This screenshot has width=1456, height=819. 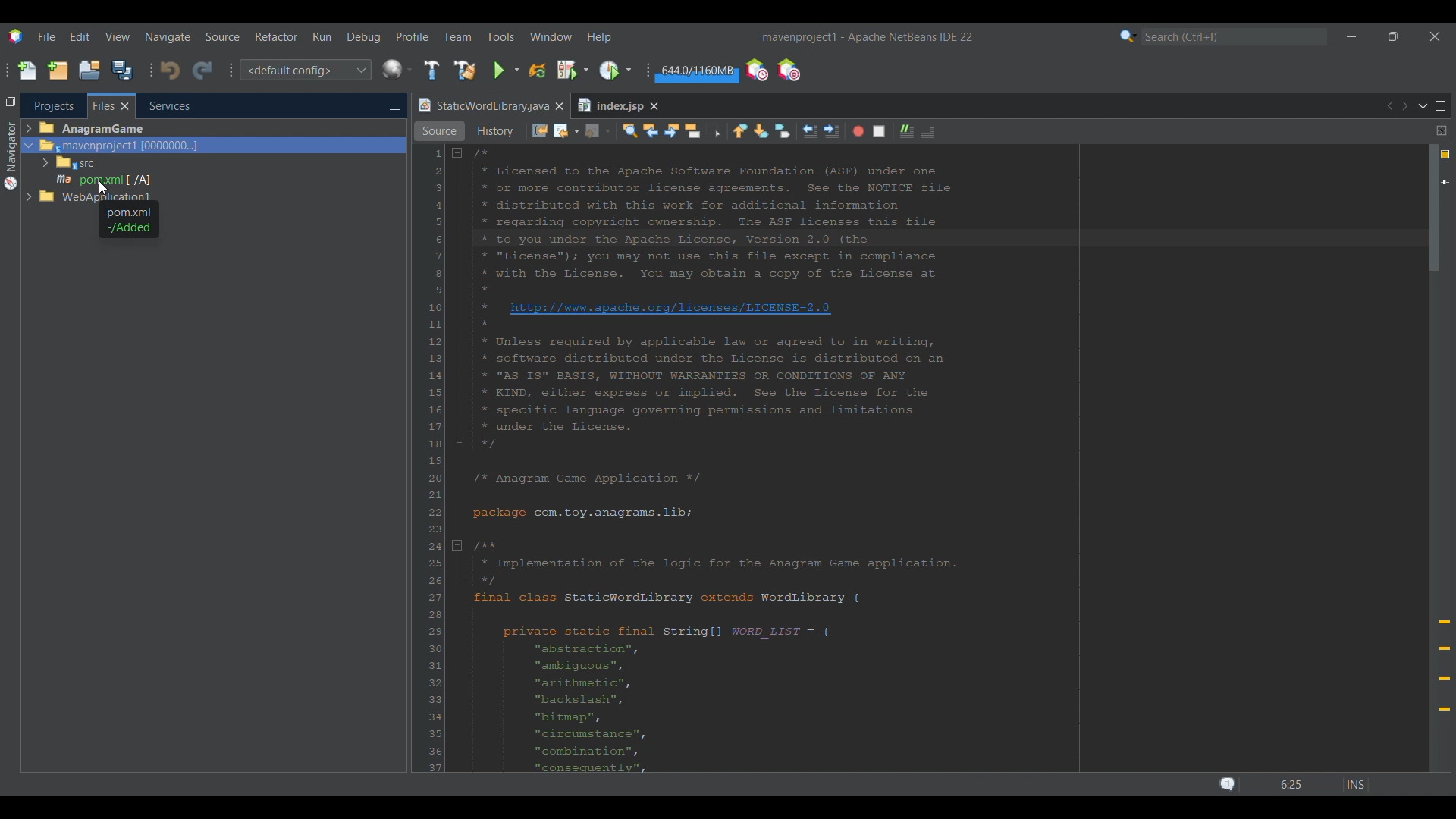 What do you see at coordinates (540, 130) in the screenshot?
I see `Last edit` at bounding box center [540, 130].